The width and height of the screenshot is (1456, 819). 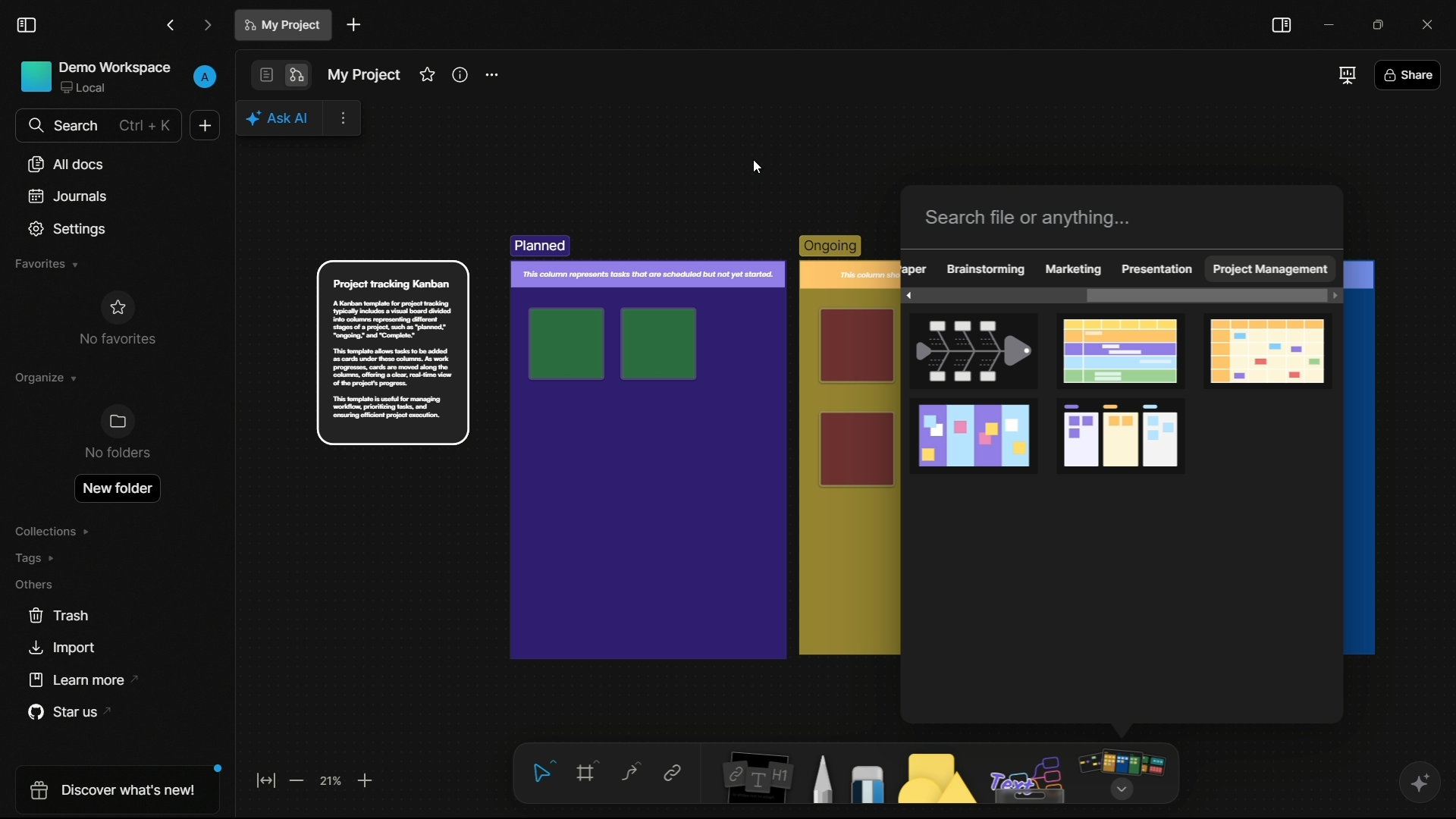 What do you see at coordinates (427, 74) in the screenshot?
I see `favorites` at bounding box center [427, 74].